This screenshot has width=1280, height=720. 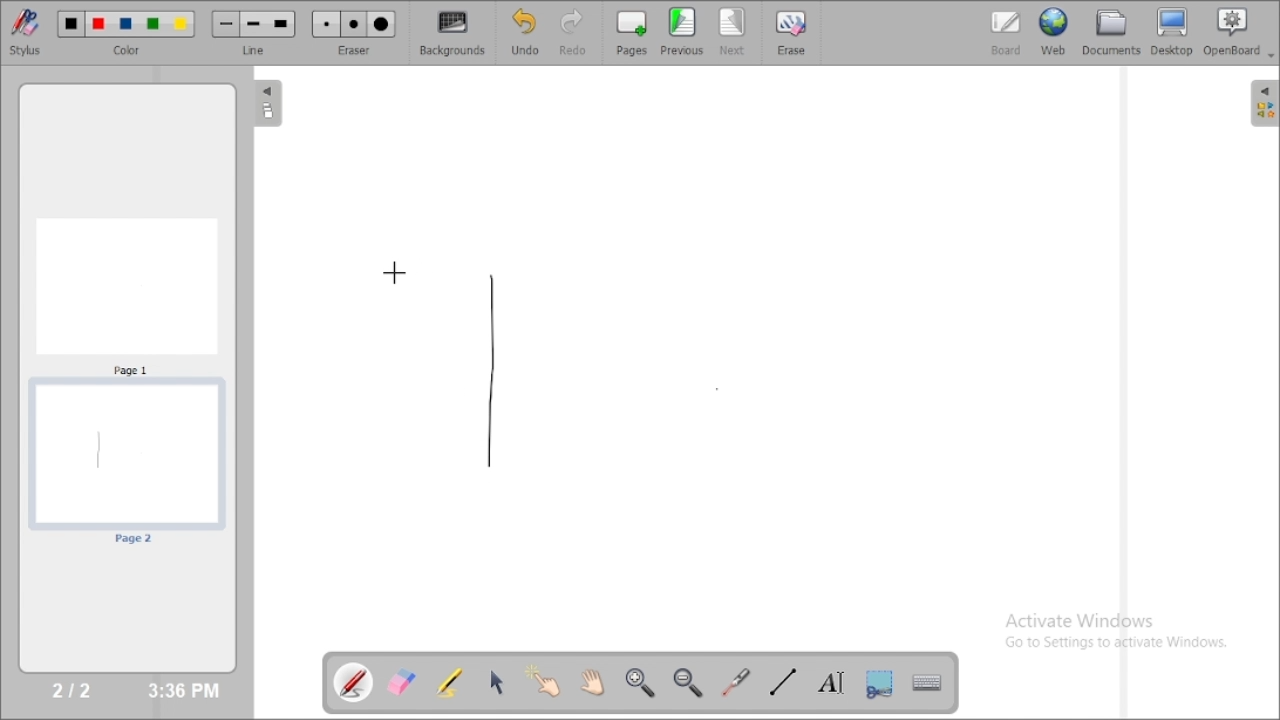 What do you see at coordinates (524, 32) in the screenshot?
I see `undo` at bounding box center [524, 32].